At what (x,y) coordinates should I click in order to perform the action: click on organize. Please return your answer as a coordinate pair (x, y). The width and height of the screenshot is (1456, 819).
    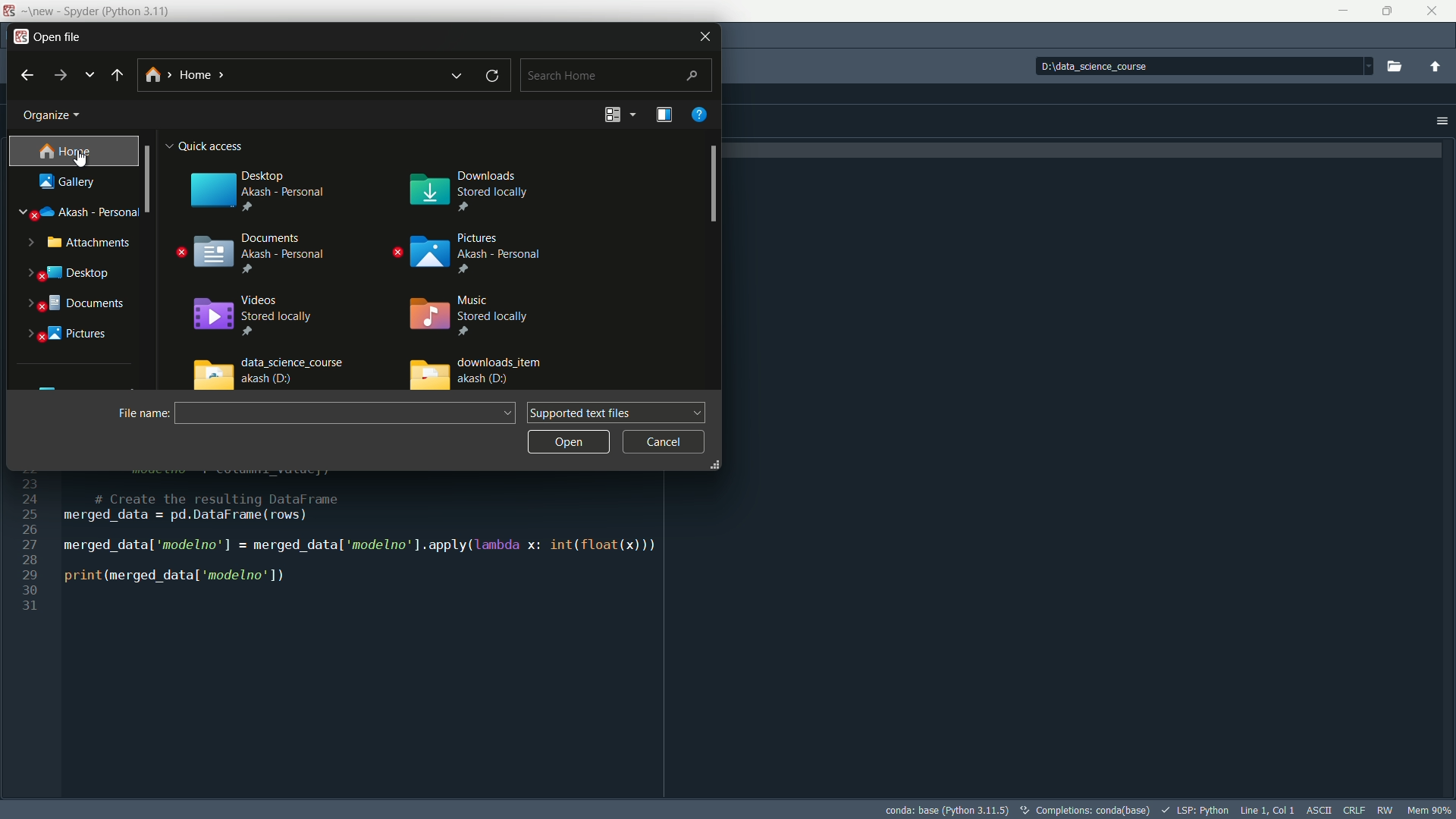
    Looking at the image, I should click on (55, 117).